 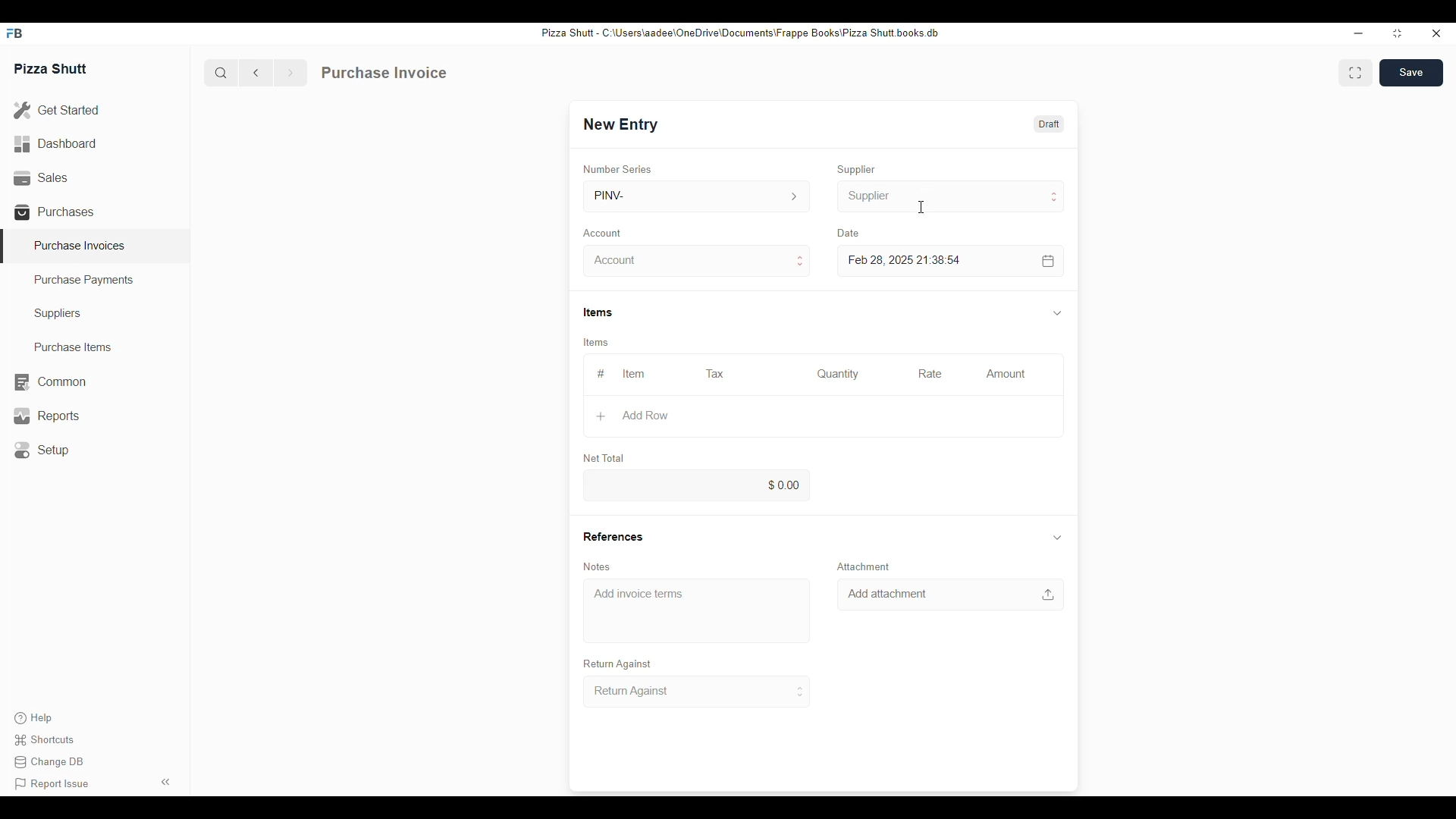 I want to click on search, so click(x=221, y=73).